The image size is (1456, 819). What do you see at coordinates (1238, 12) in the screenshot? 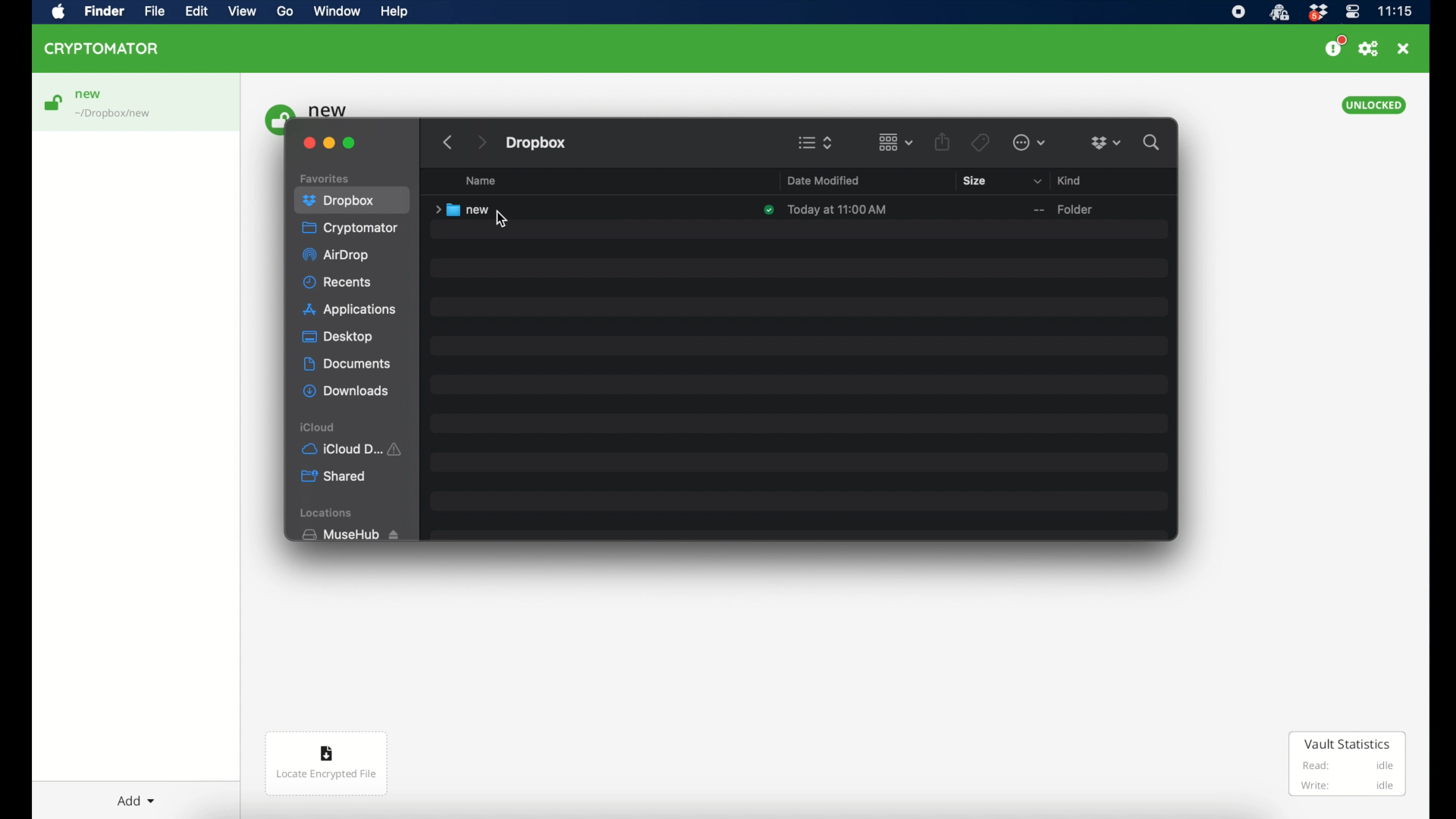
I see `screen recorder music` at bounding box center [1238, 12].